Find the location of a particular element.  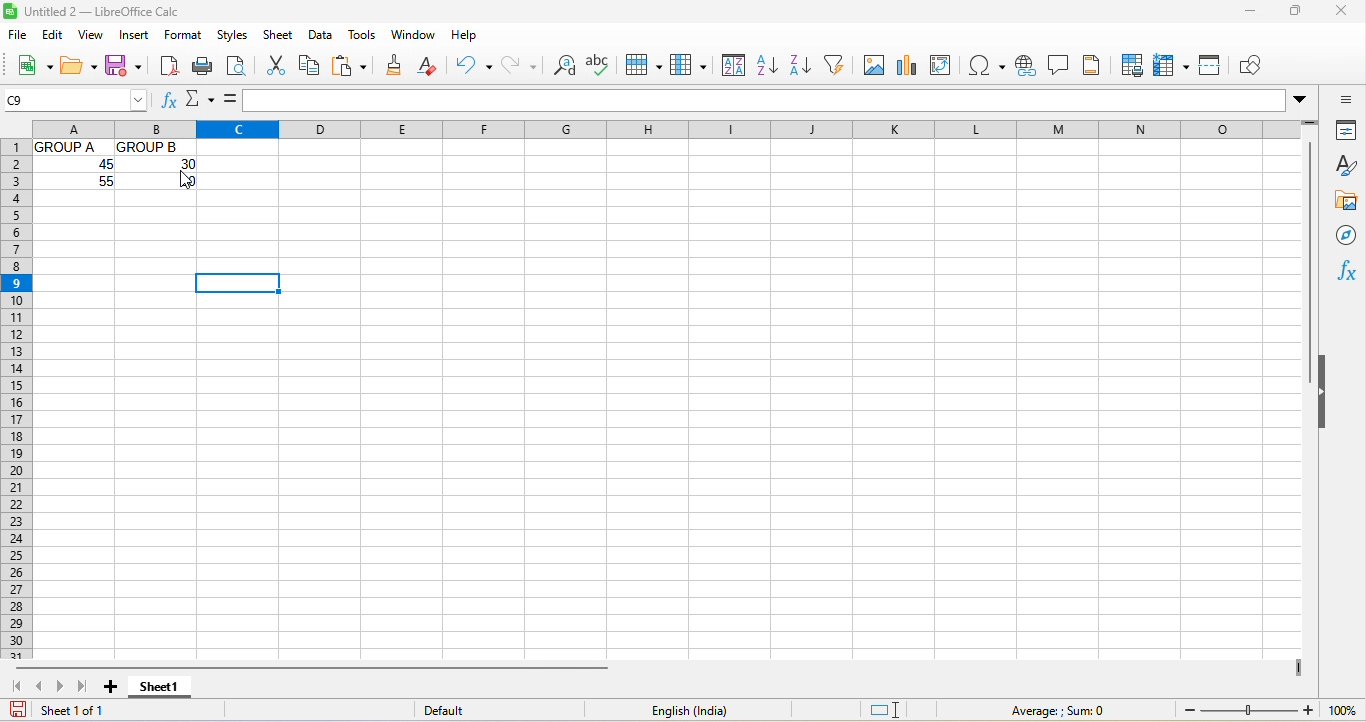

split window is located at coordinates (1212, 67).